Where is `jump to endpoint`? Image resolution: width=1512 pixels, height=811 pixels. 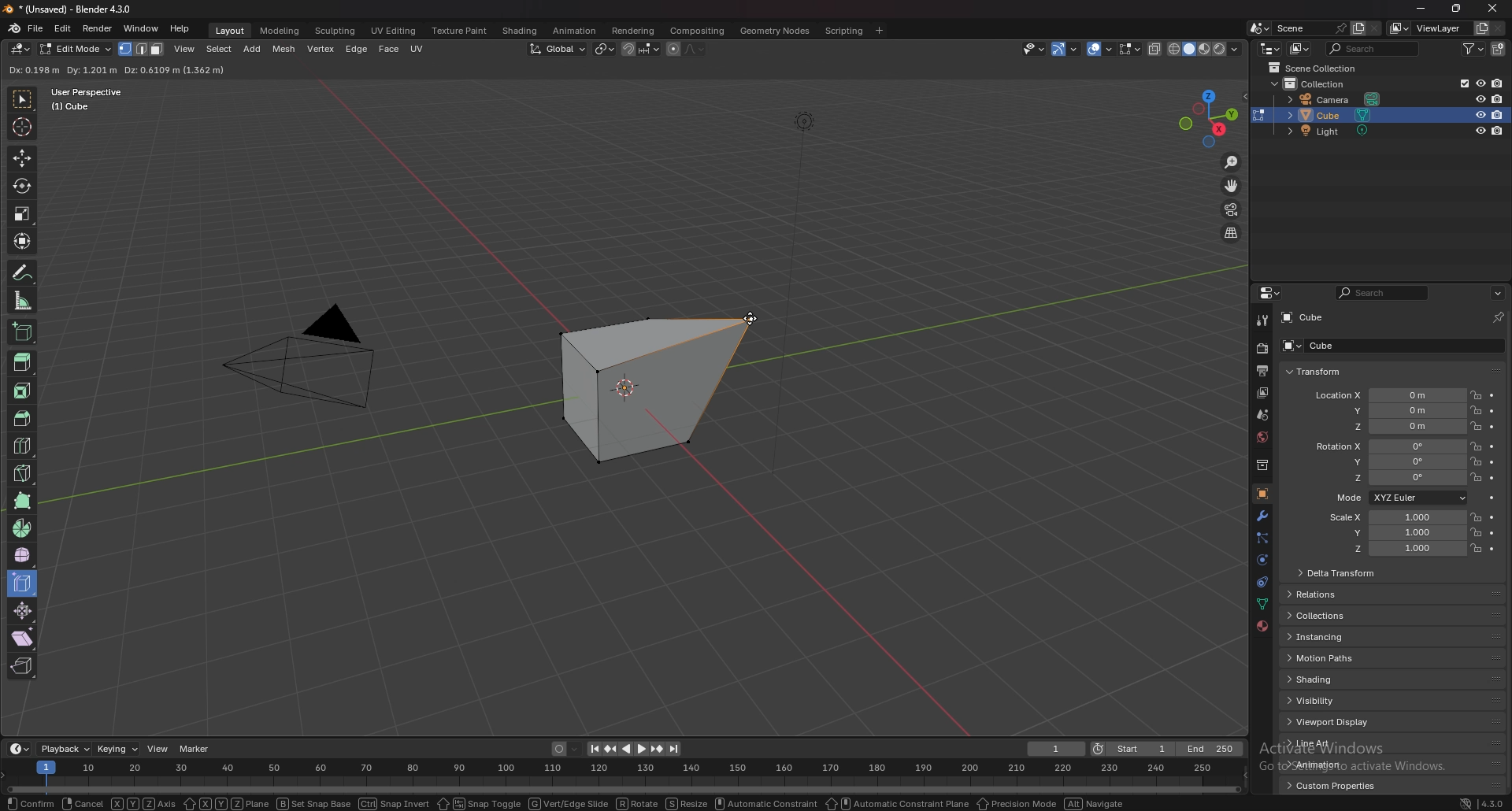
jump to endpoint is located at coordinates (675, 750).